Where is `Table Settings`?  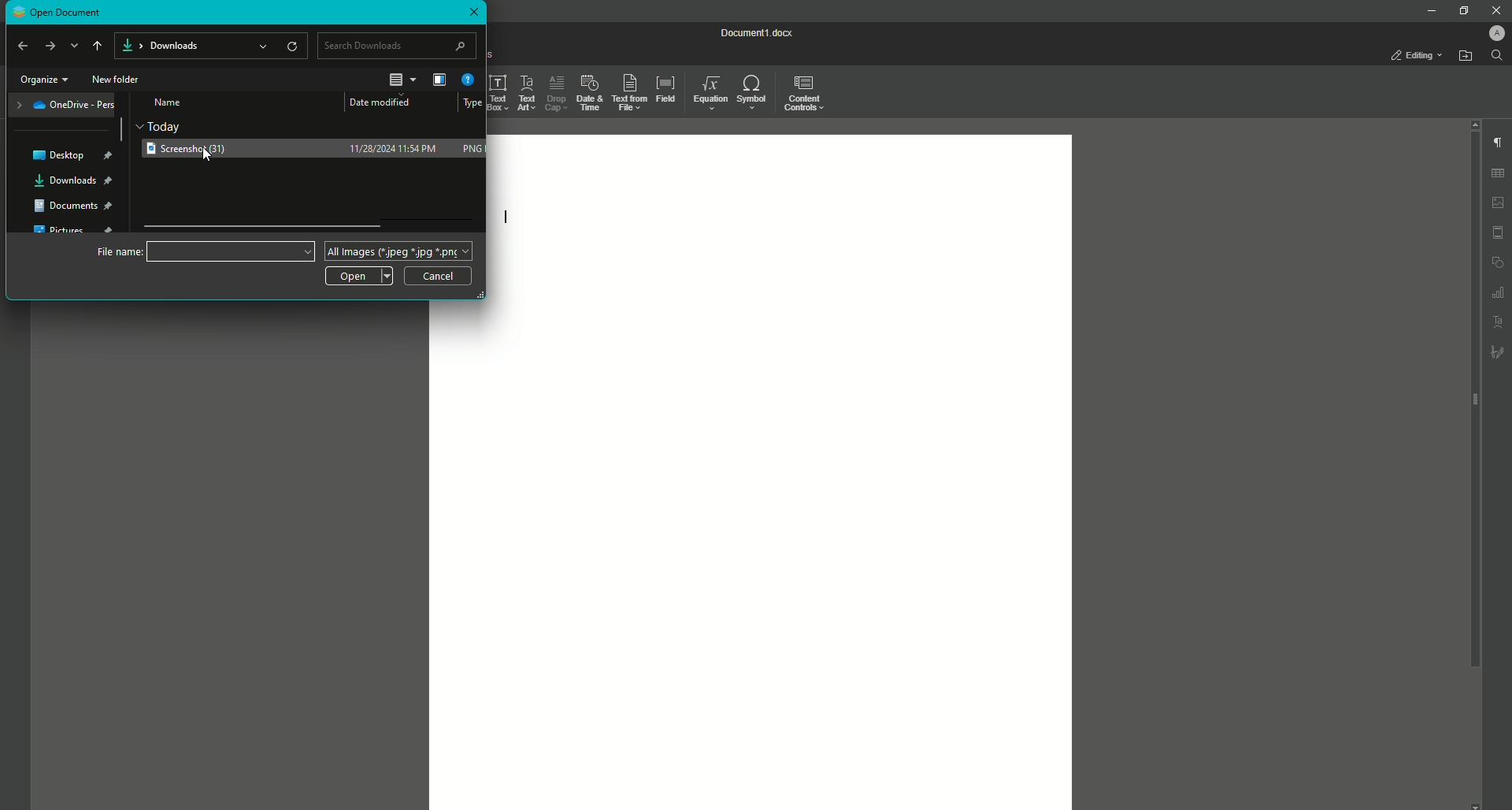
Table Settings is located at coordinates (1498, 173).